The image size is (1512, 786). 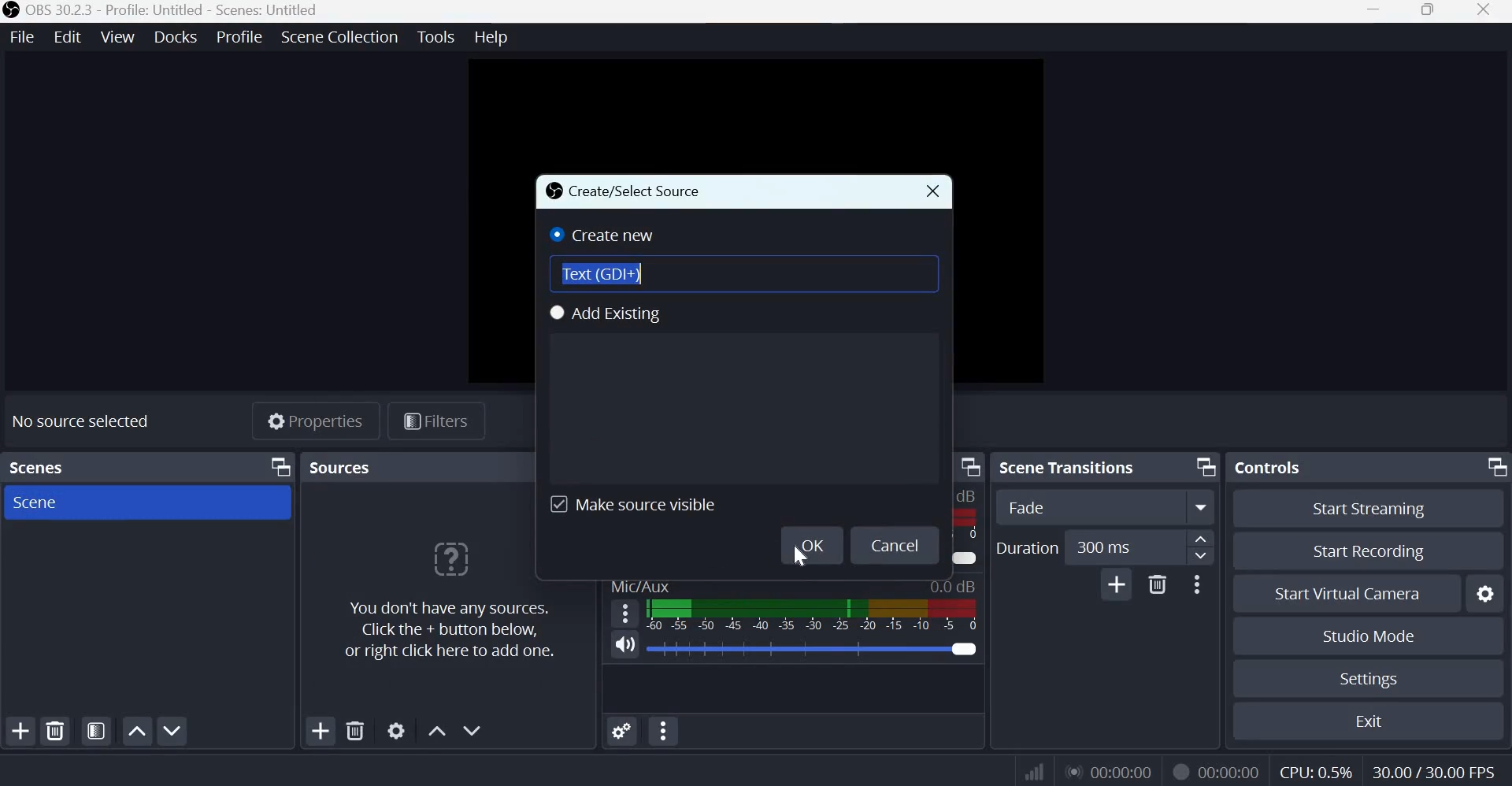 I want to click on close, so click(x=933, y=191).